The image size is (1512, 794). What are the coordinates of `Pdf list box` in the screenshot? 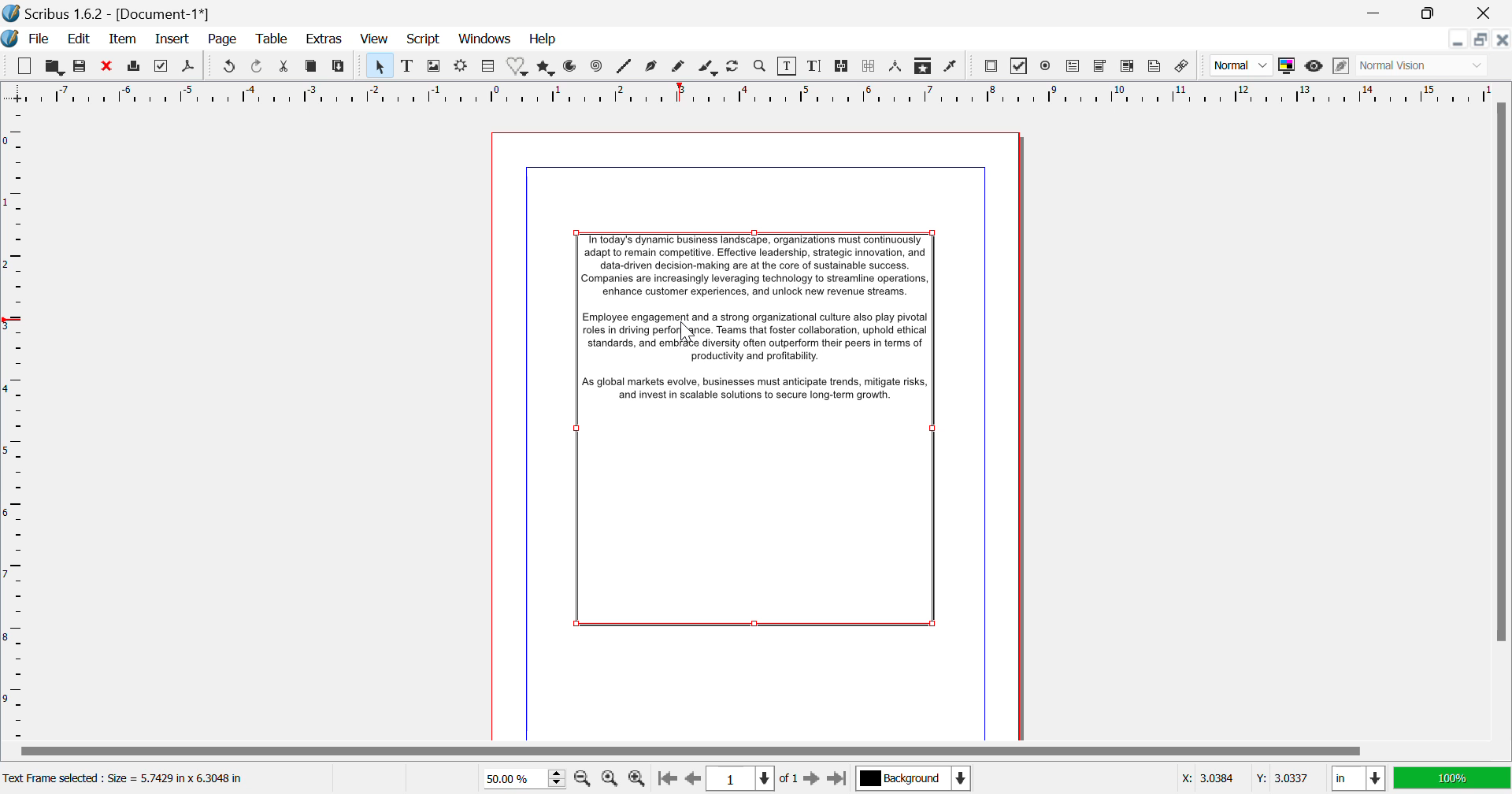 It's located at (1129, 67).